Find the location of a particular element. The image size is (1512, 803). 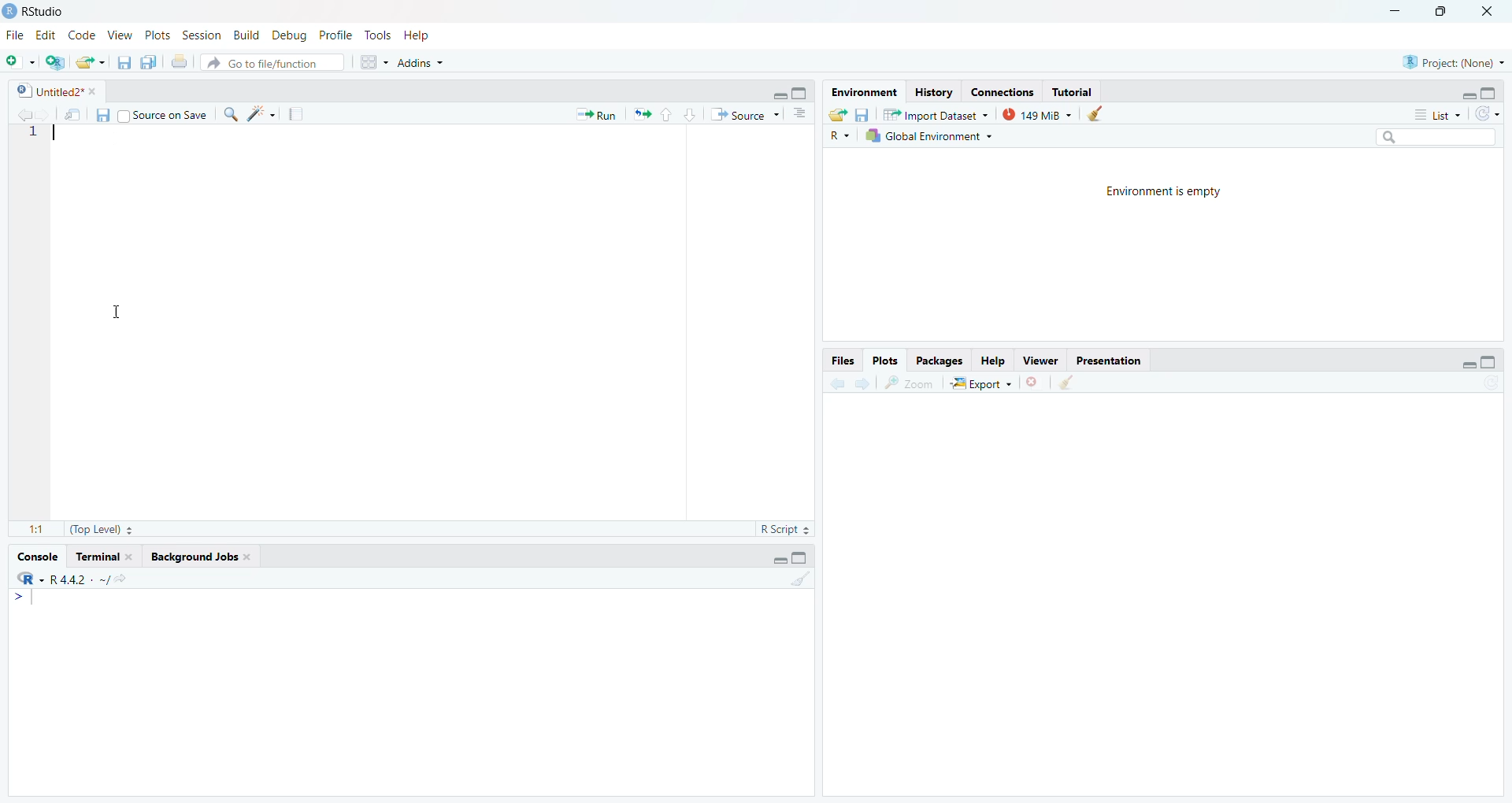

Plots is located at coordinates (885, 360).